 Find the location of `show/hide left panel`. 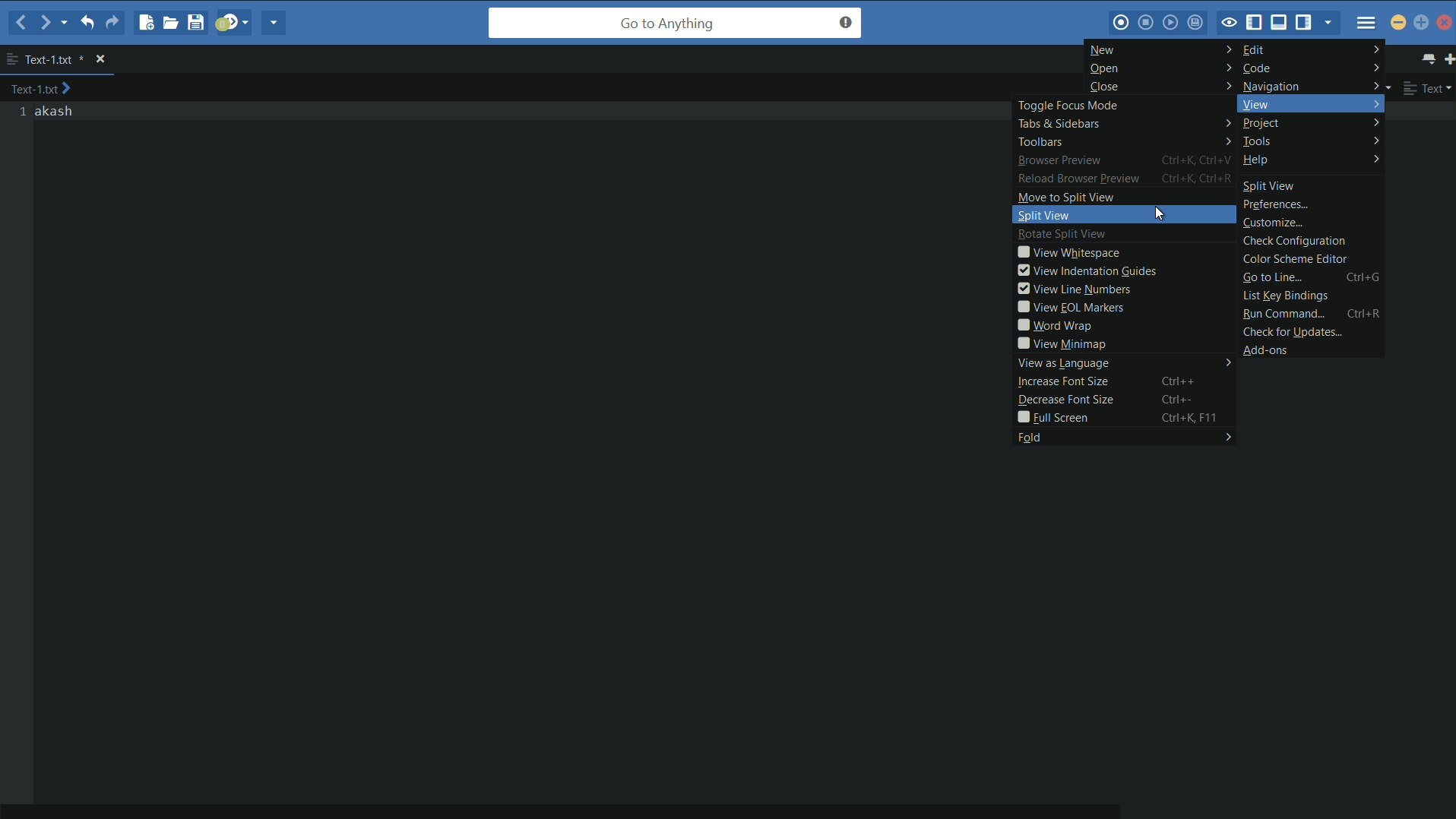

show/hide left panel is located at coordinates (1255, 24).